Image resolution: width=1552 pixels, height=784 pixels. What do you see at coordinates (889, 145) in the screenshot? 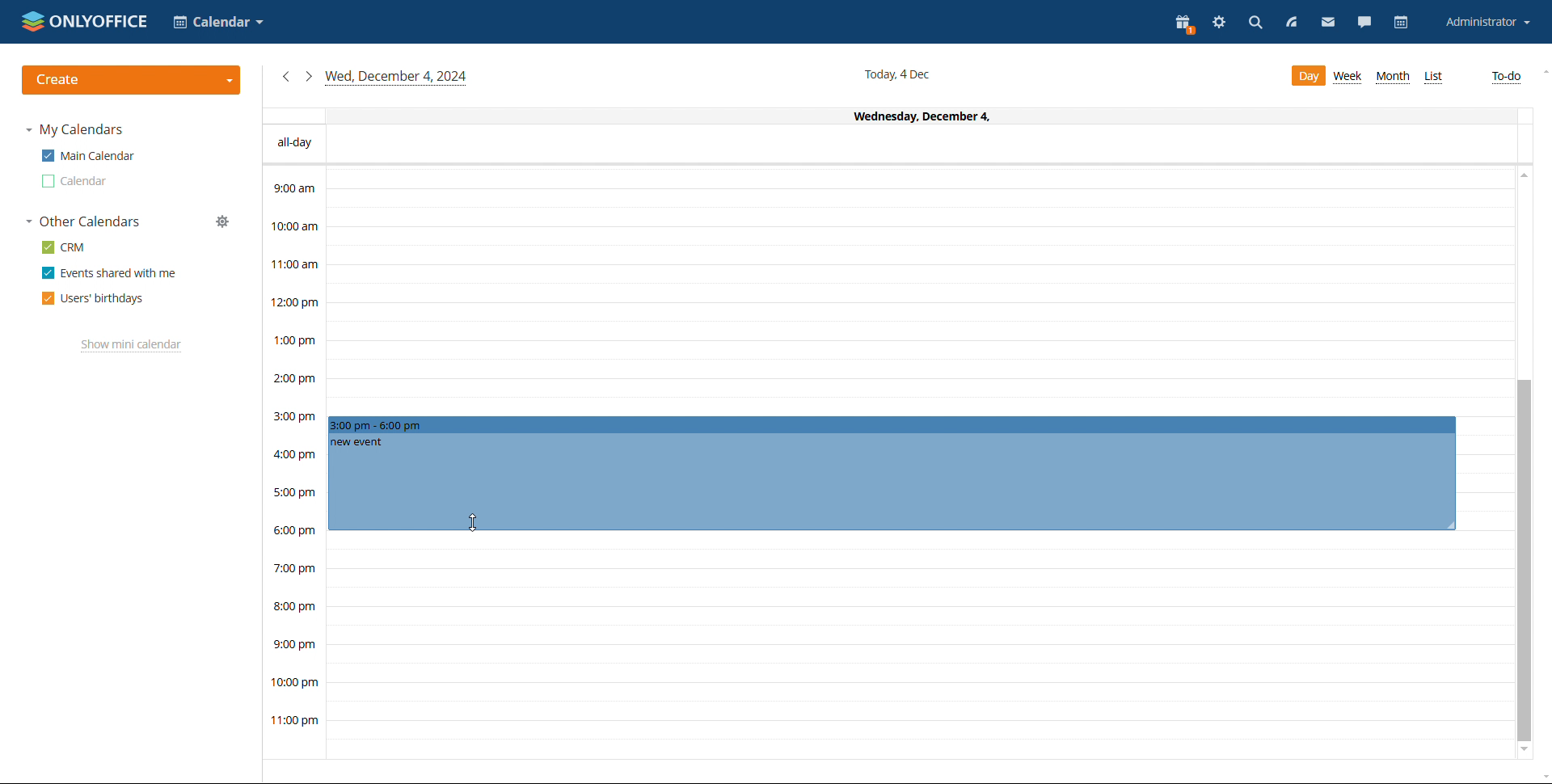
I see `all-day events` at bounding box center [889, 145].